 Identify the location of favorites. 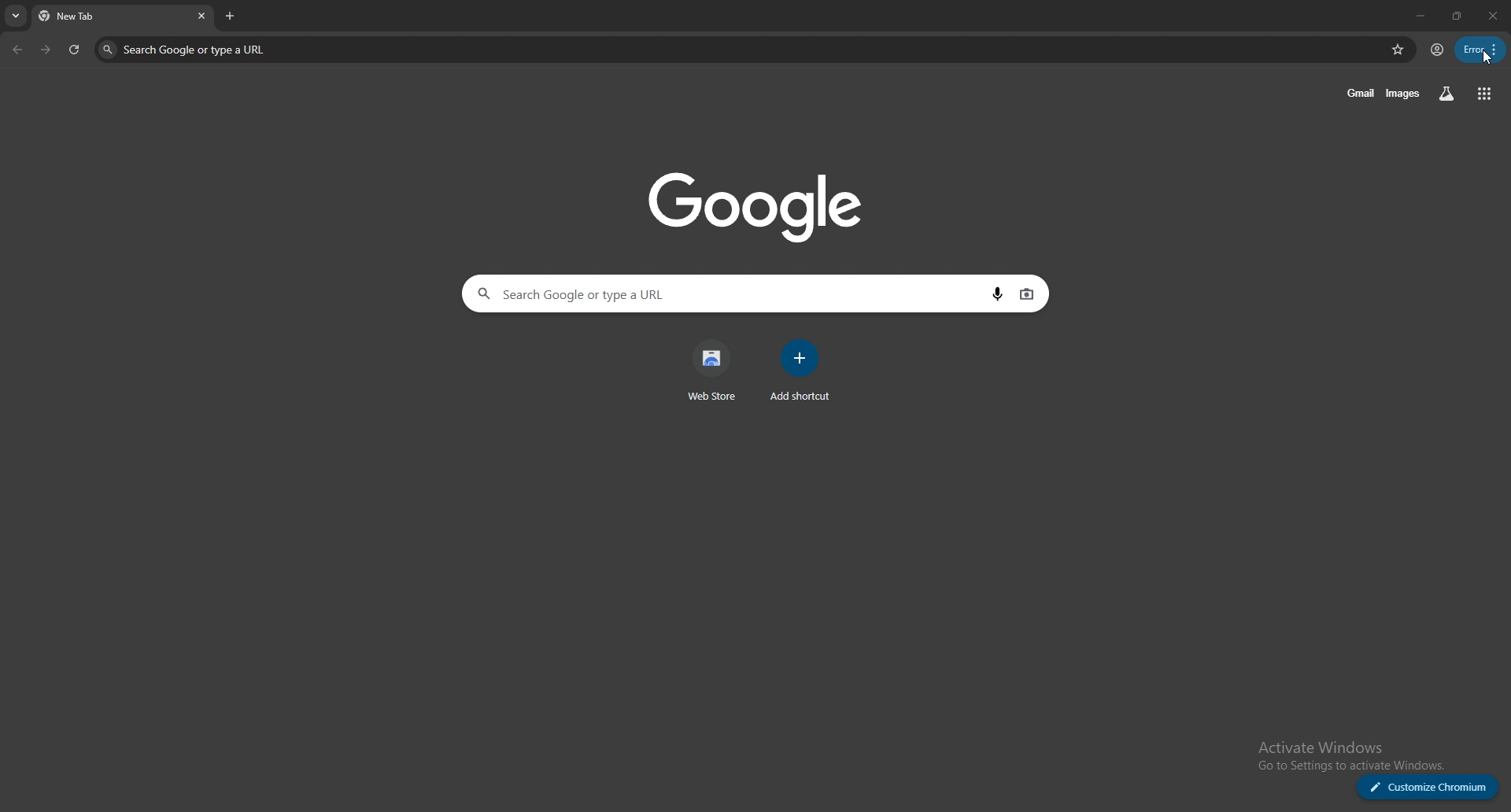
(1398, 49).